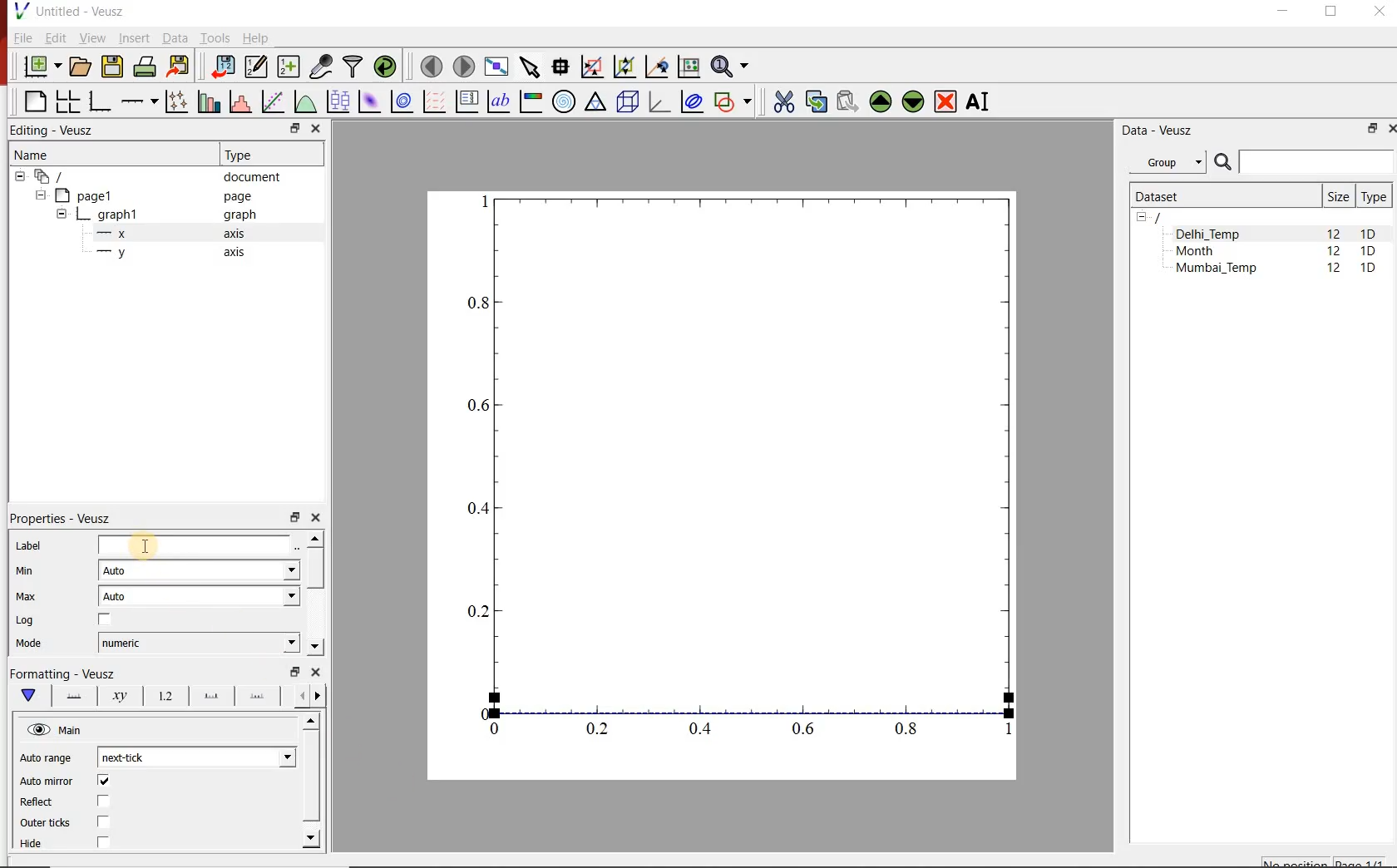 Image resolution: width=1397 pixels, height=868 pixels. I want to click on cut the selected widget, so click(783, 101).